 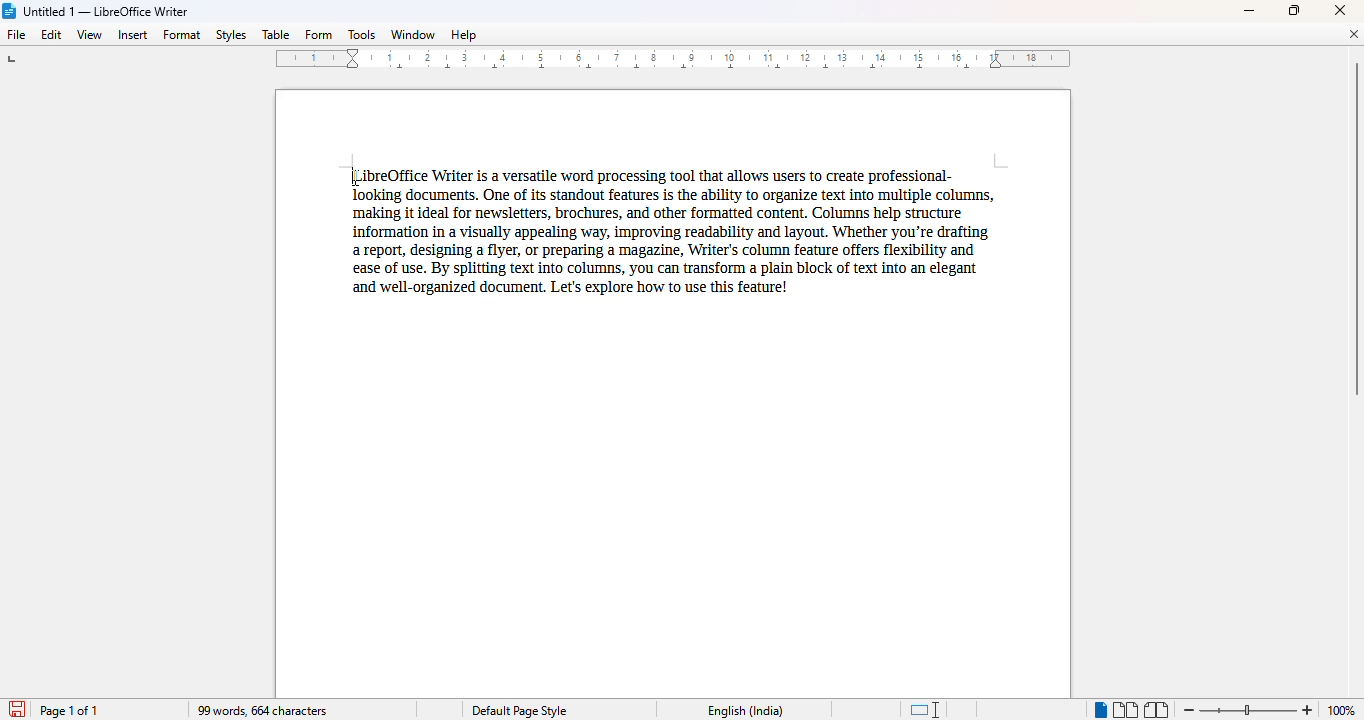 I want to click on book view, so click(x=1156, y=710).